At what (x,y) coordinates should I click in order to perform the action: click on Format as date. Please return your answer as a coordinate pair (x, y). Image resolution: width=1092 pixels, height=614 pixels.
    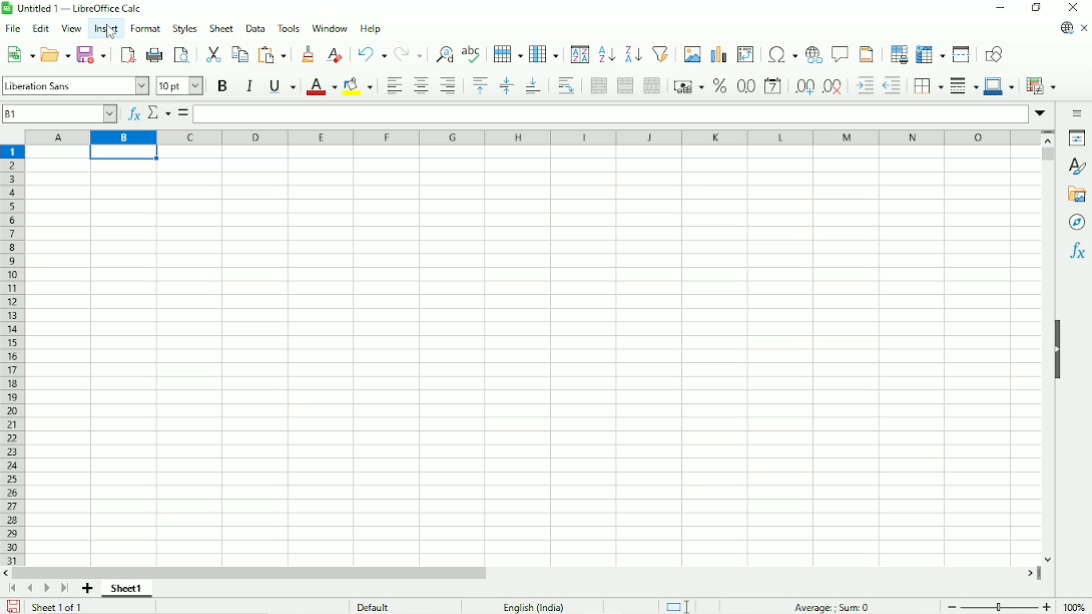
    Looking at the image, I should click on (772, 86).